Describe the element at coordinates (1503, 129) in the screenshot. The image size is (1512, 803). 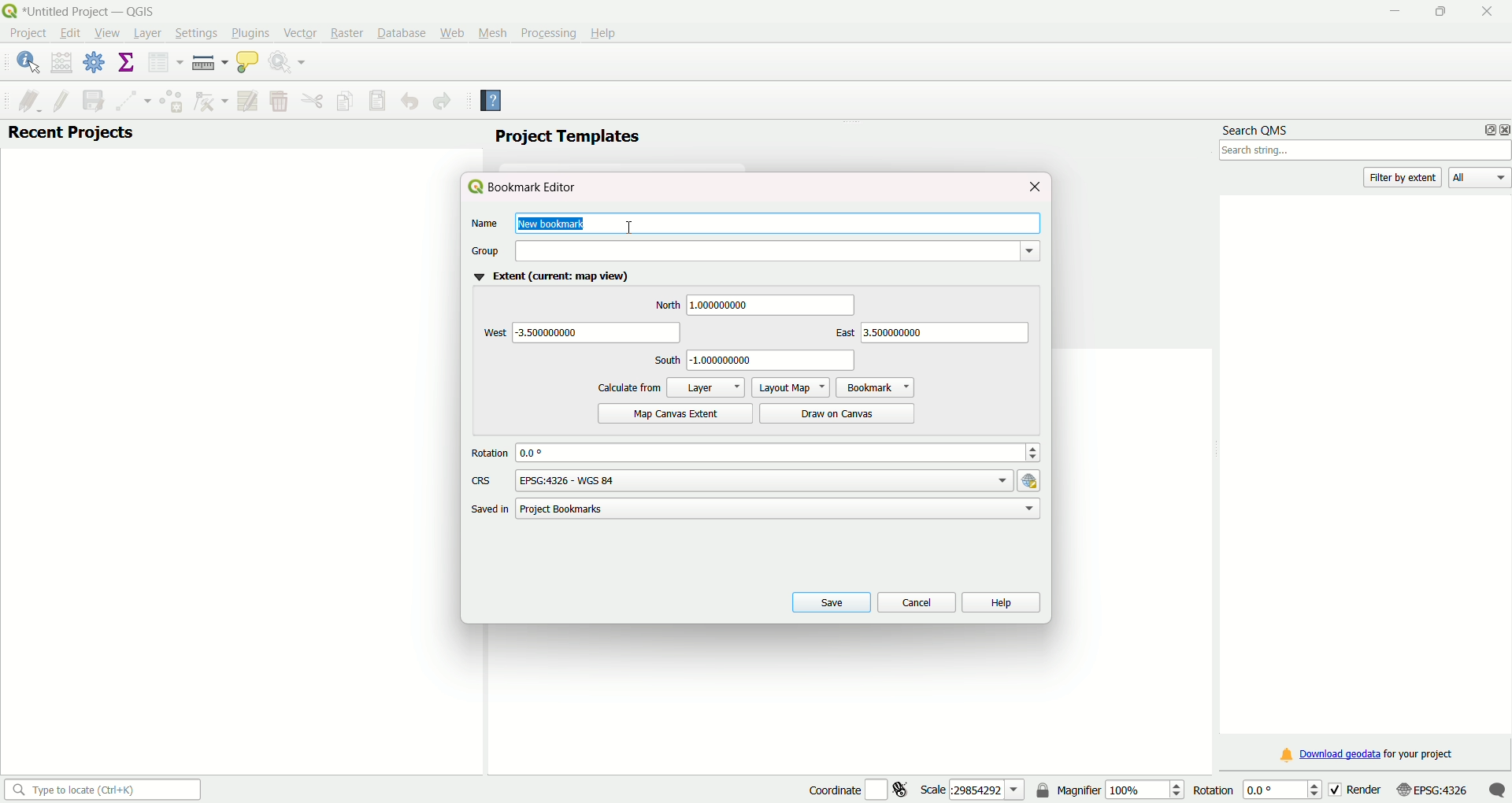
I see `close` at that location.